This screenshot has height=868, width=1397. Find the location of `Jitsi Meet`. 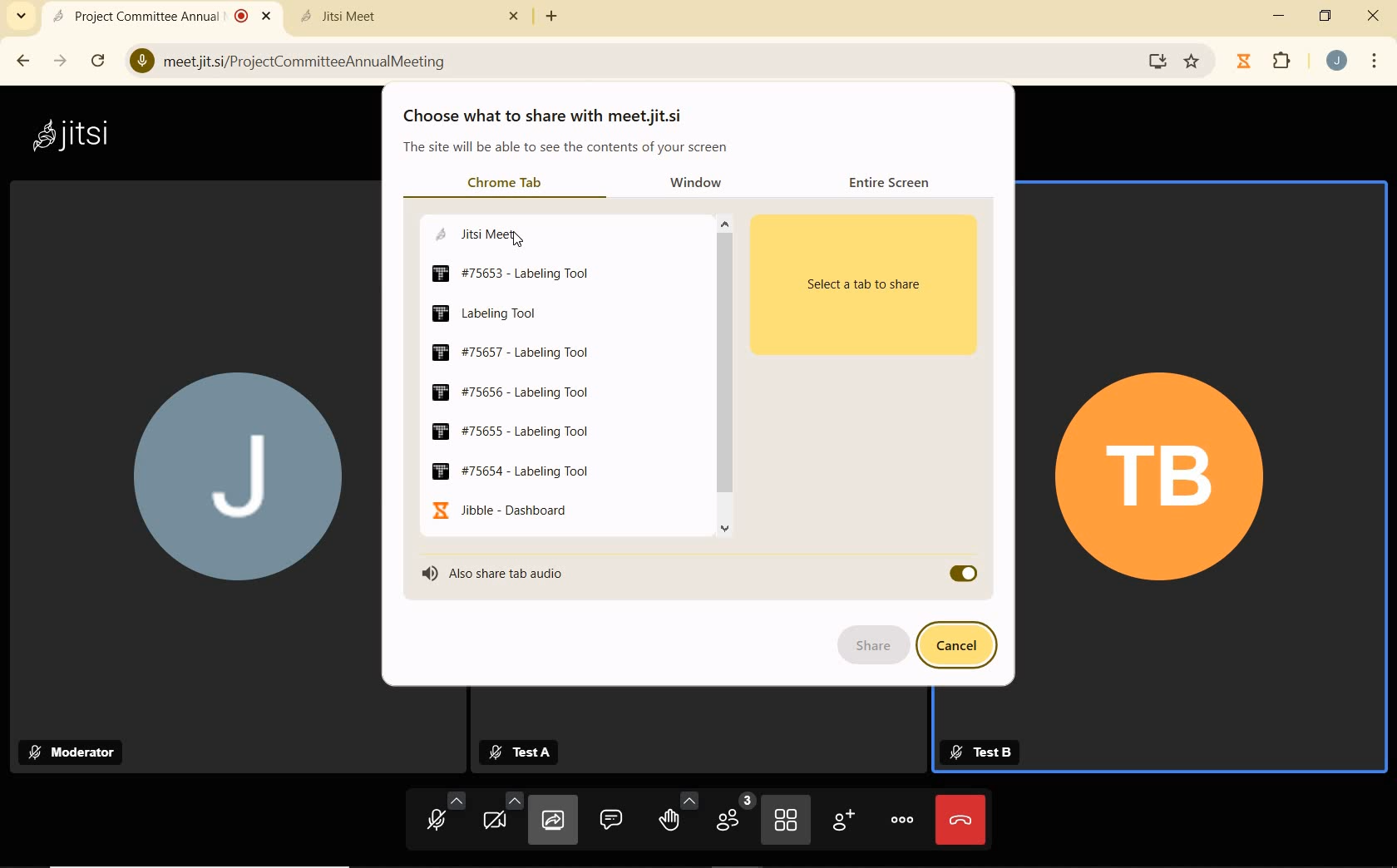

Jitsi Meet is located at coordinates (473, 233).